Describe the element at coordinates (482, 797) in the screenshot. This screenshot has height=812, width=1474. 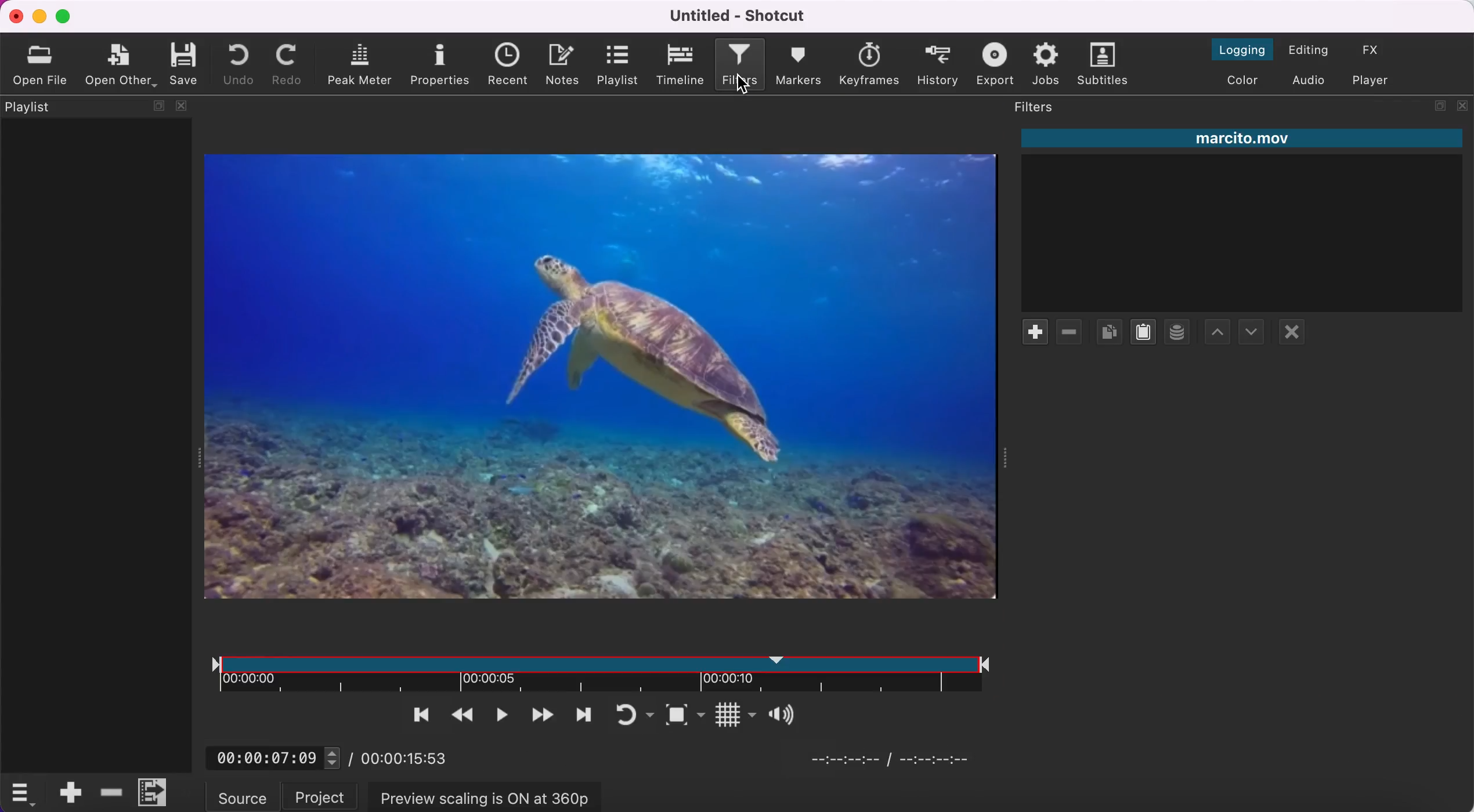
I see `preview scaling is on at 360p` at that location.